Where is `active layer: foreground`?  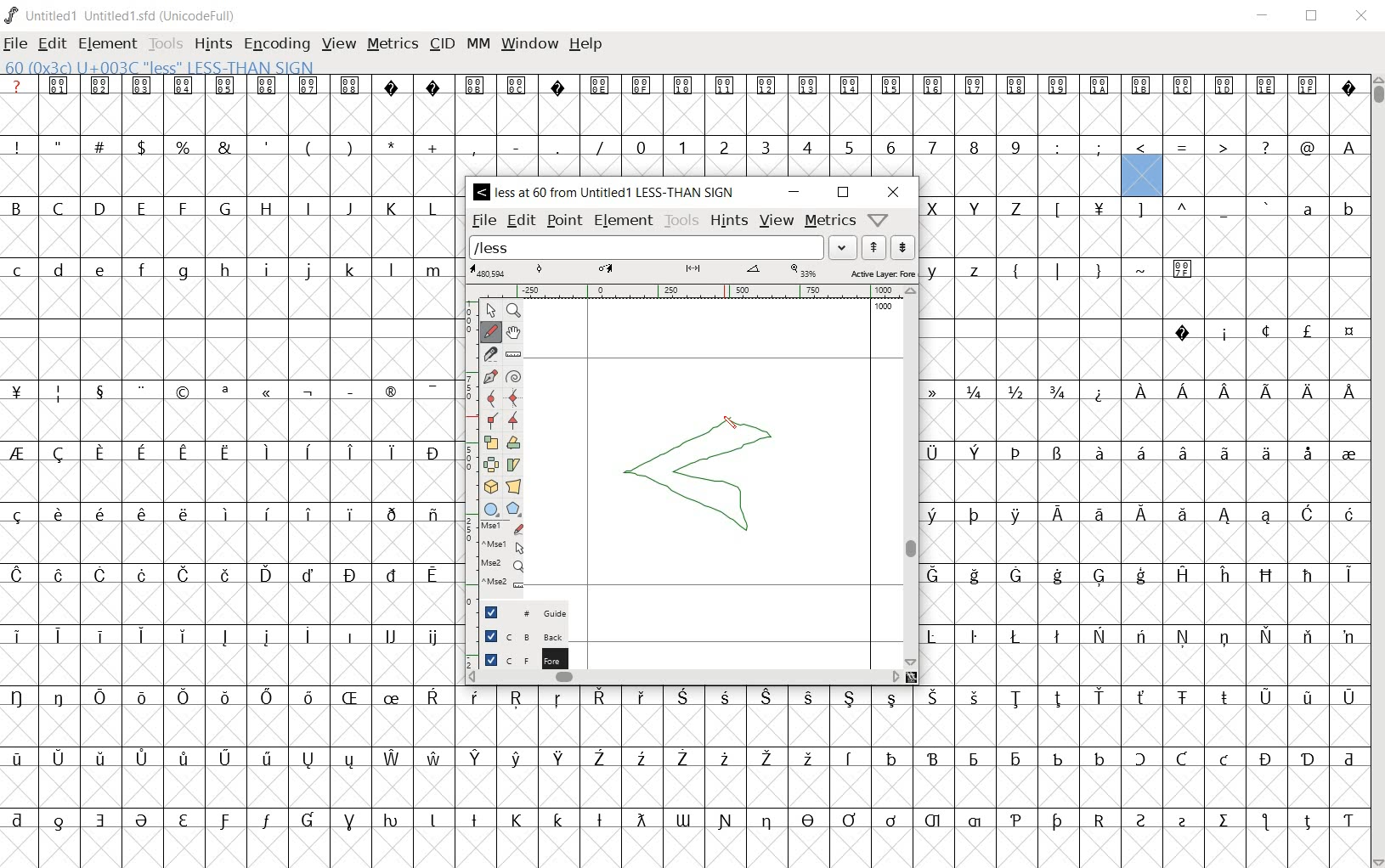 active layer: foreground is located at coordinates (691, 273).